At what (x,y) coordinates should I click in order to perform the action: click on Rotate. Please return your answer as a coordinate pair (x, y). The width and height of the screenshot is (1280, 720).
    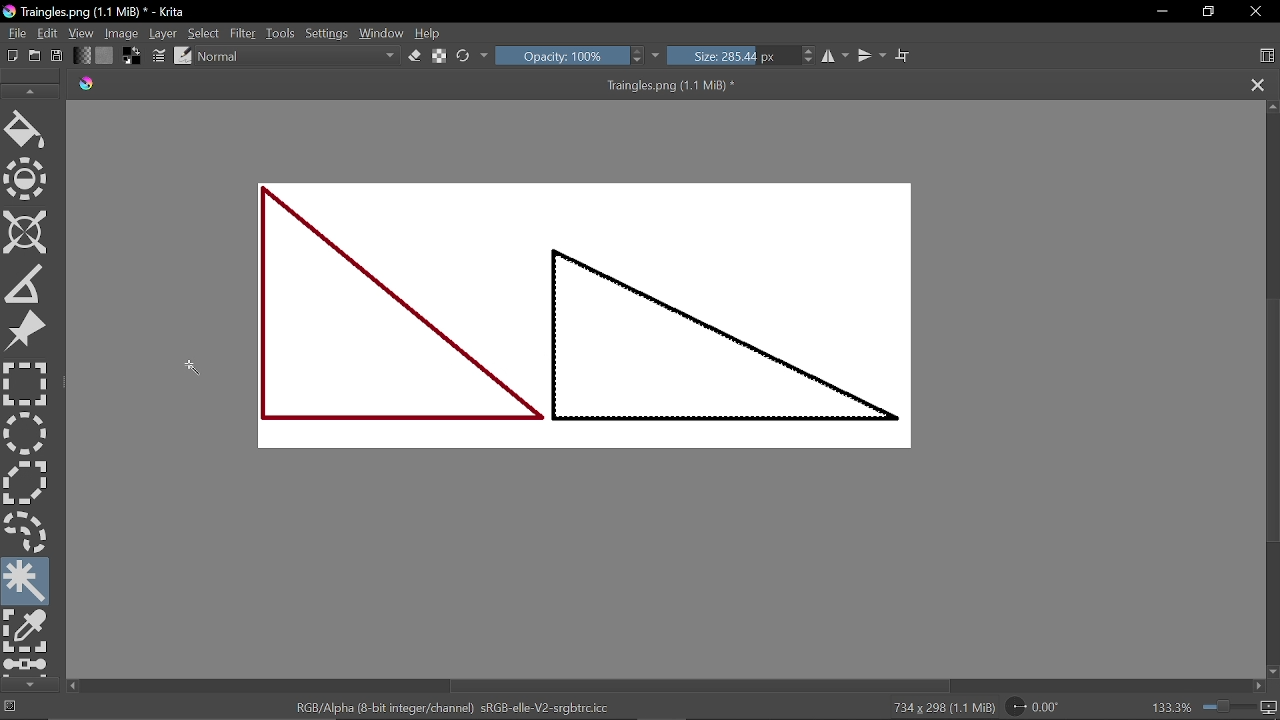
    Looking at the image, I should click on (1043, 705).